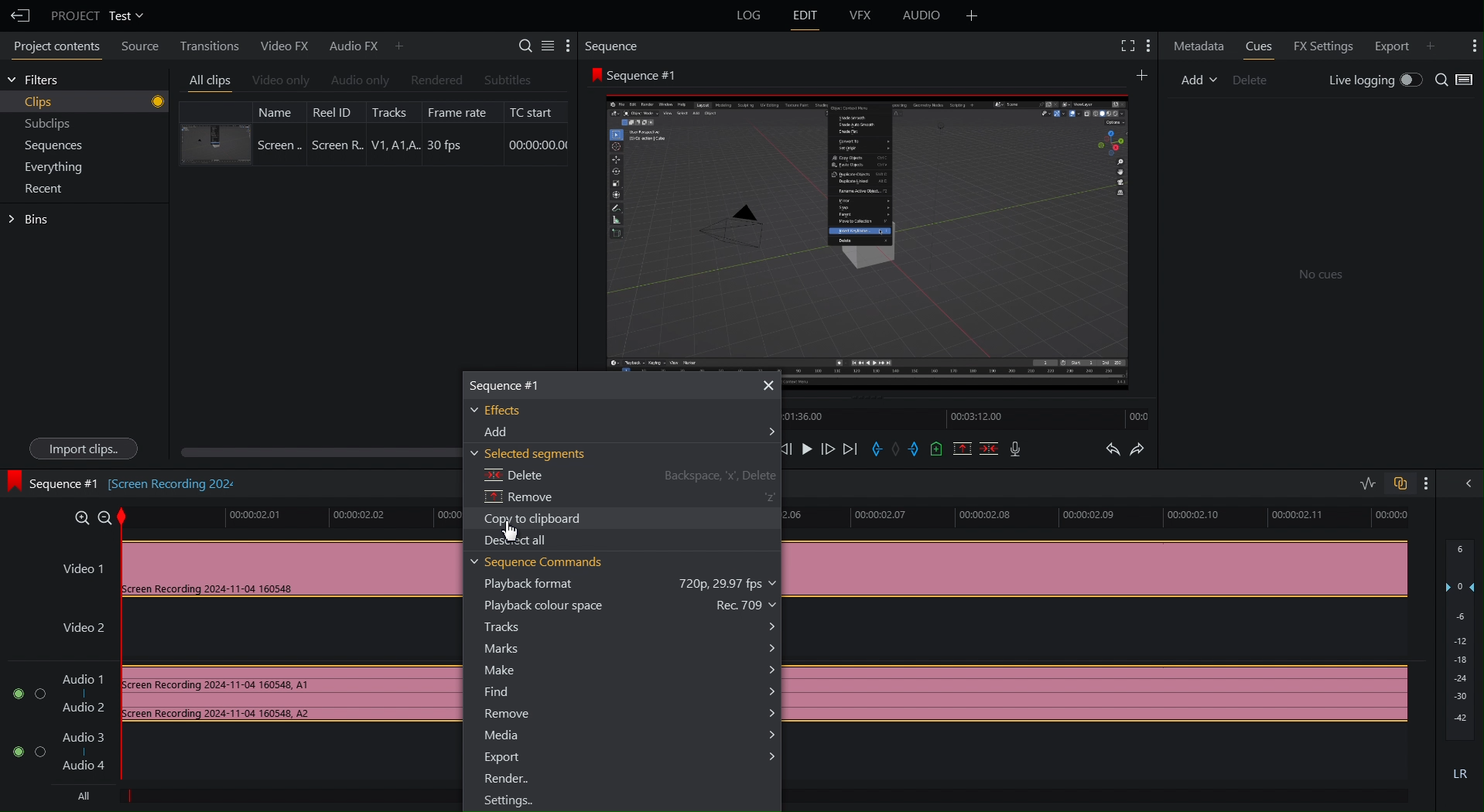  What do you see at coordinates (633, 626) in the screenshot?
I see `Tracks` at bounding box center [633, 626].